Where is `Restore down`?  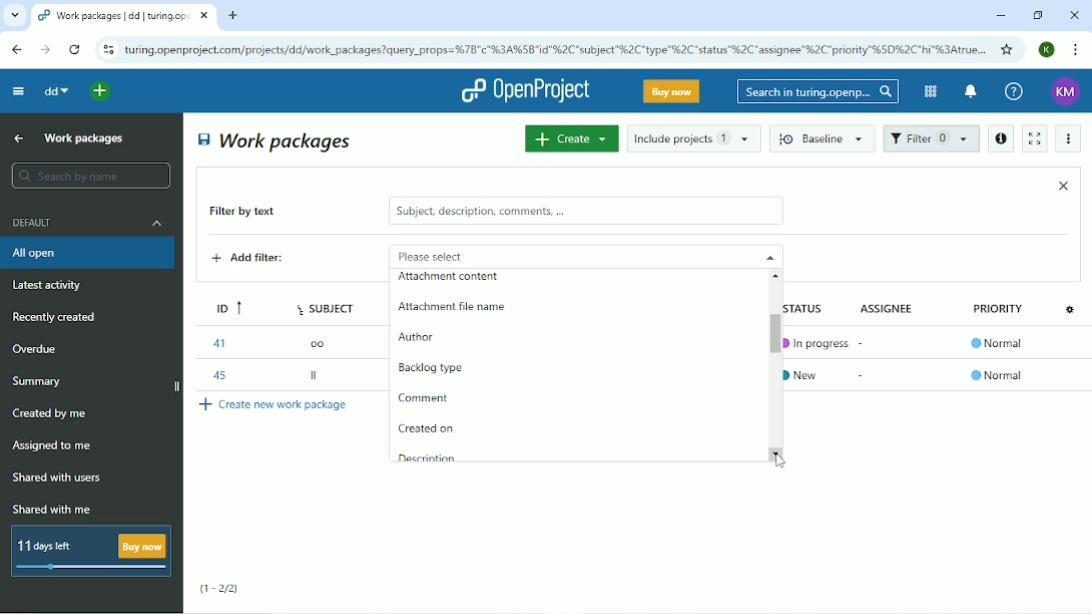 Restore down is located at coordinates (1037, 15).